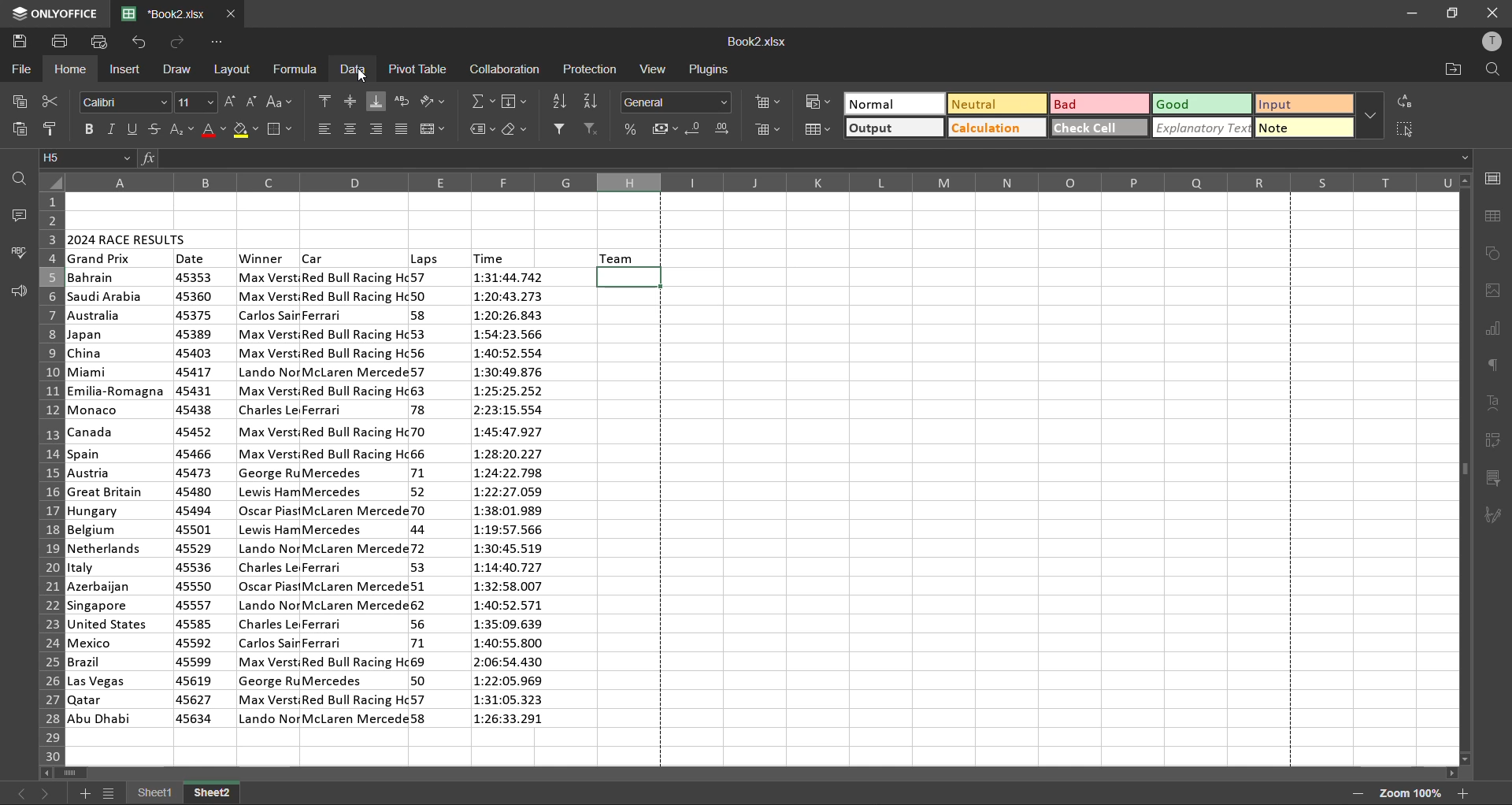 This screenshot has height=805, width=1512. What do you see at coordinates (514, 103) in the screenshot?
I see `fields` at bounding box center [514, 103].